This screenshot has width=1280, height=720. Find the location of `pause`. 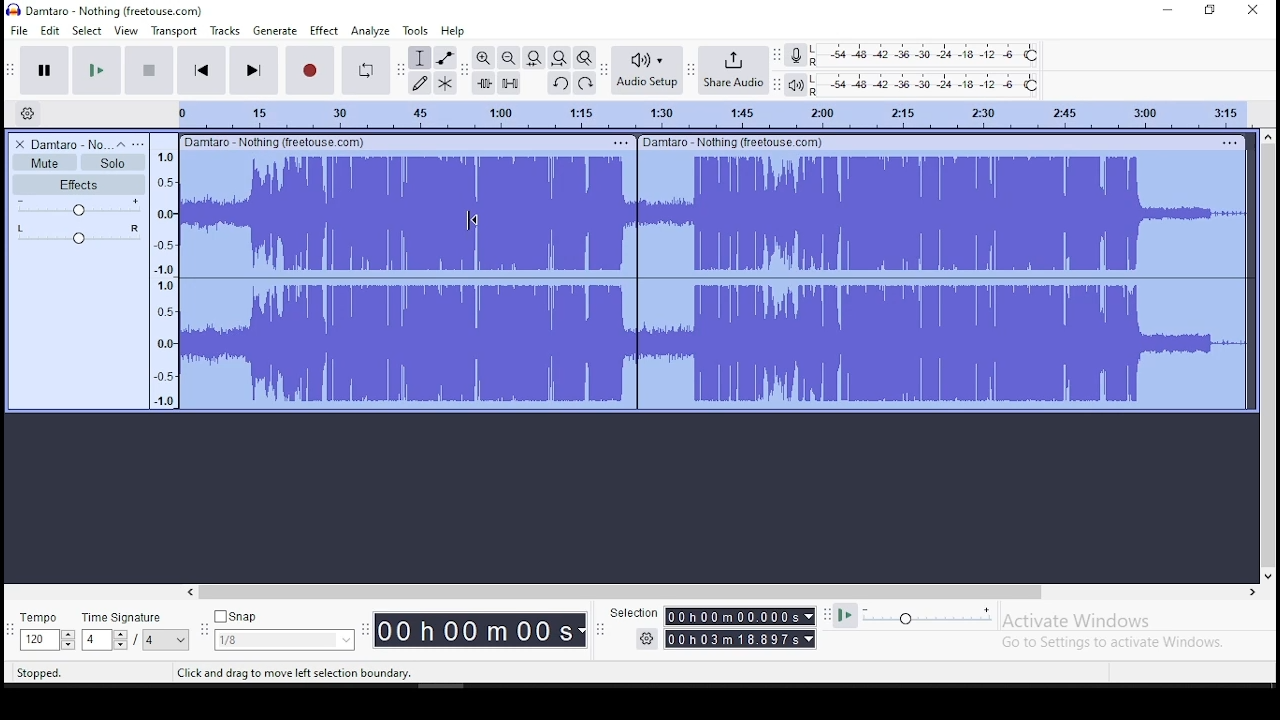

pause is located at coordinates (44, 68).